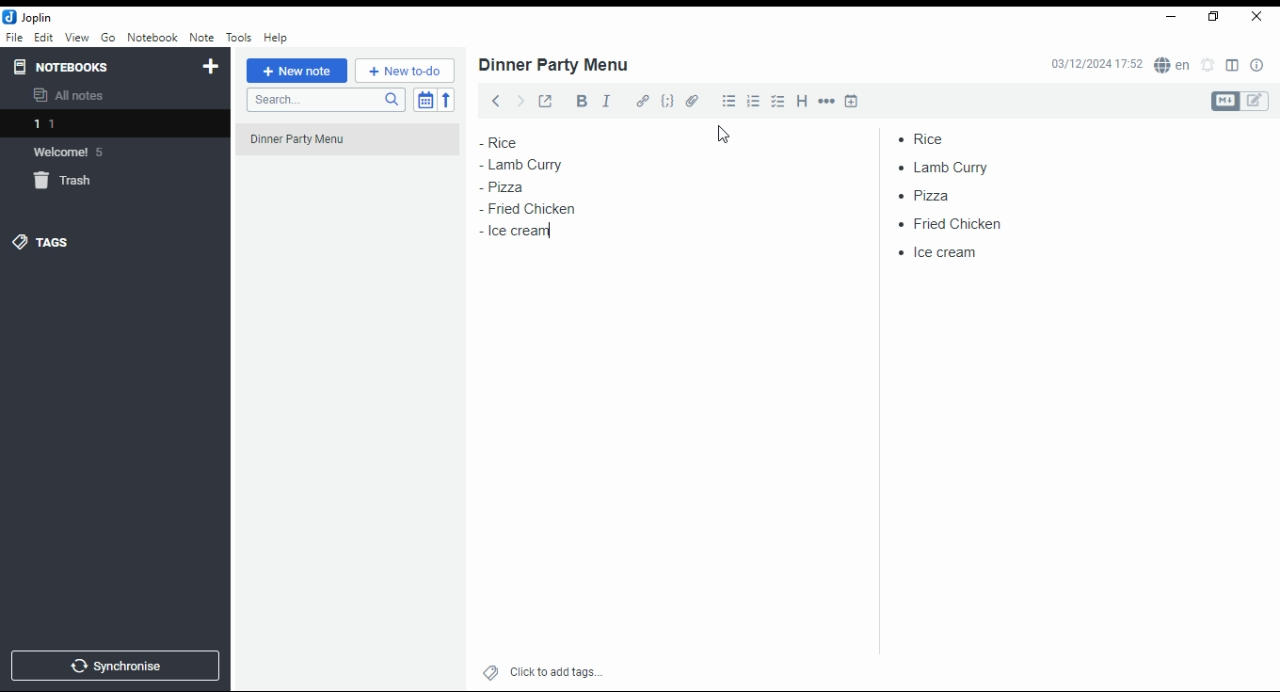 This screenshot has width=1280, height=692. What do you see at coordinates (946, 136) in the screenshot?
I see `rice` at bounding box center [946, 136].